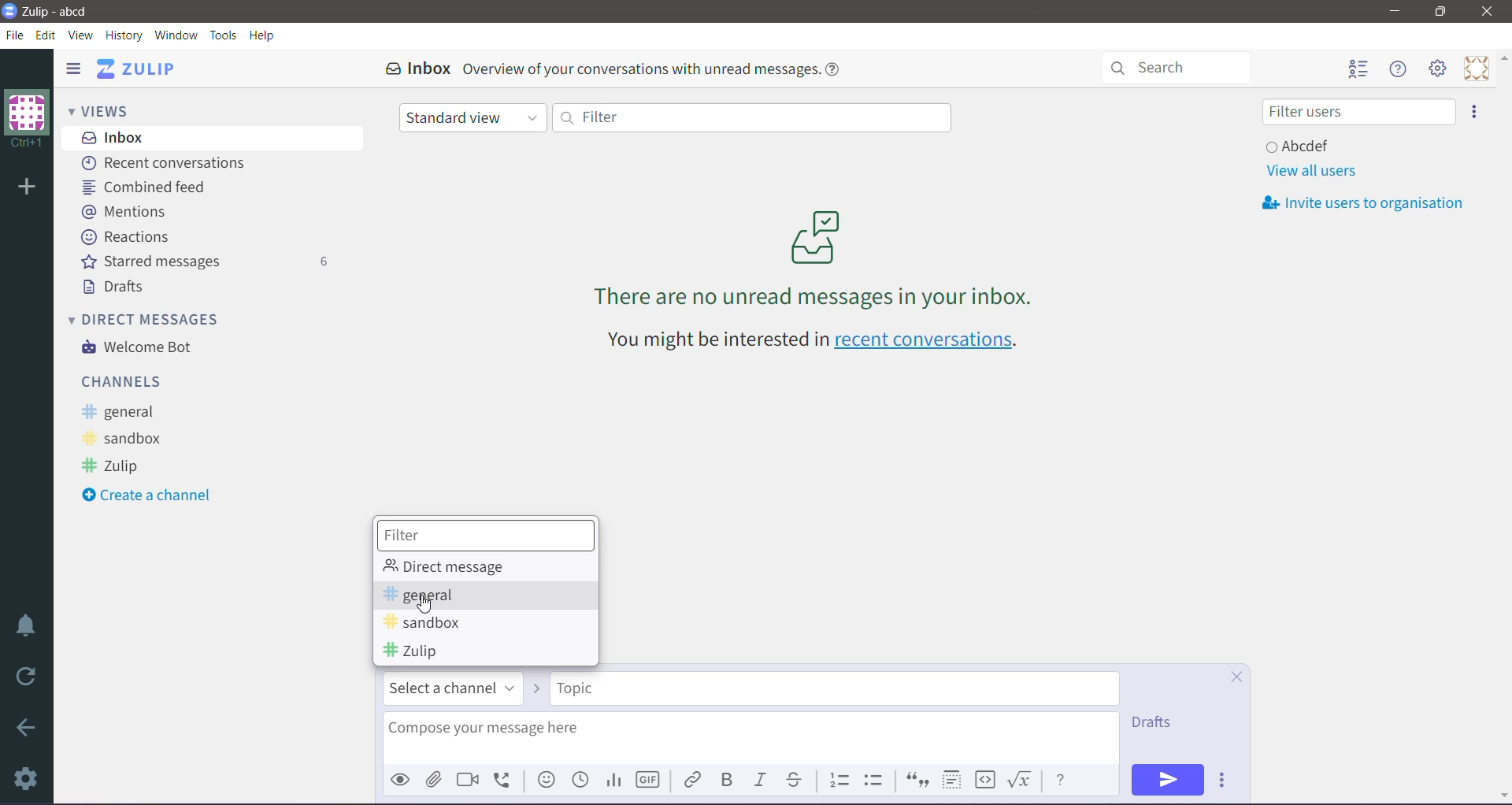 The width and height of the screenshot is (1512, 805). What do you see at coordinates (1310, 171) in the screenshot?
I see `View all users` at bounding box center [1310, 171].